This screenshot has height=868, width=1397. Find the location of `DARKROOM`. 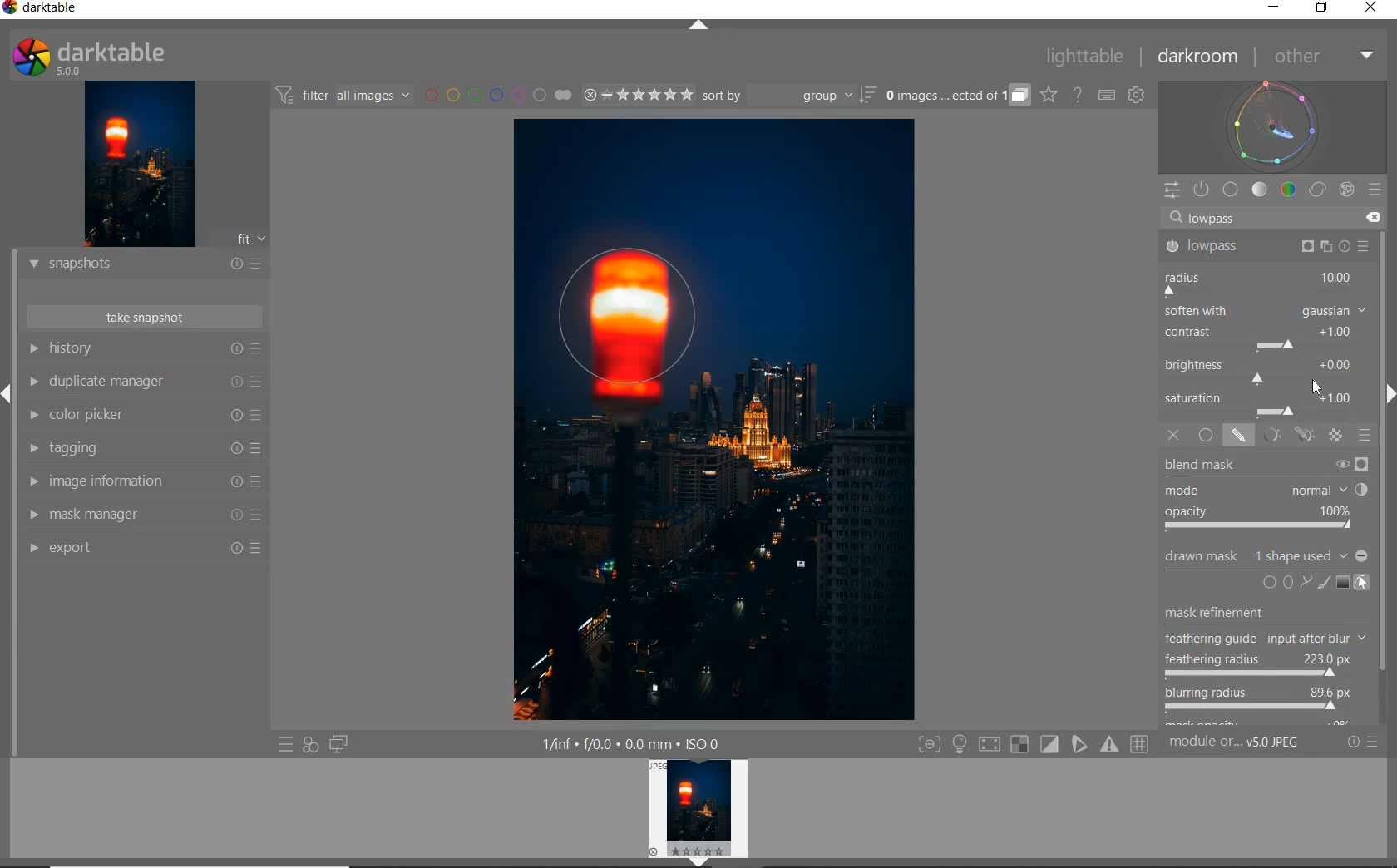

DARKROOM is located at coordinates (1201, 57).